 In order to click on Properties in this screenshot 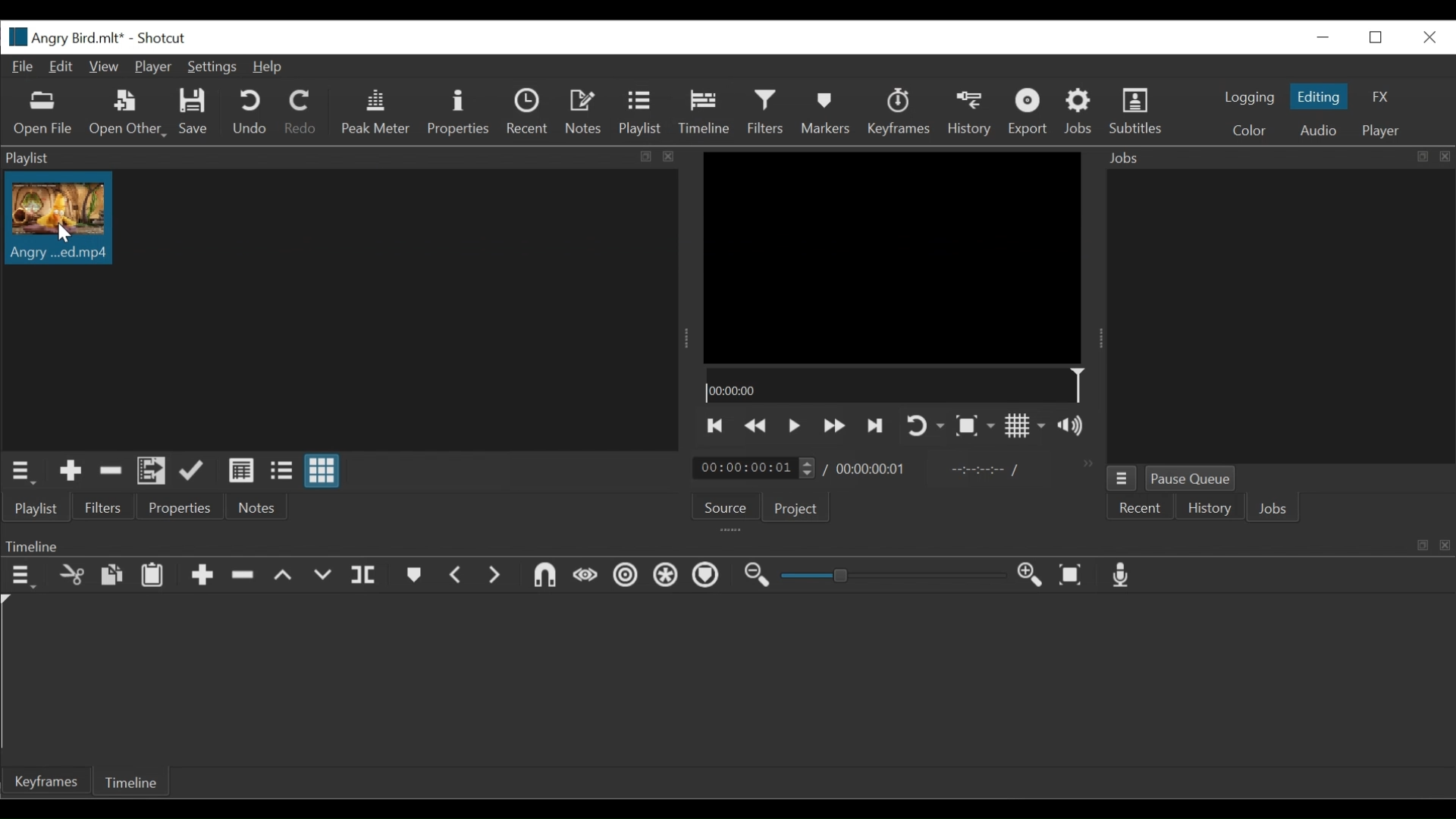, I will do `click(461, 112)`.